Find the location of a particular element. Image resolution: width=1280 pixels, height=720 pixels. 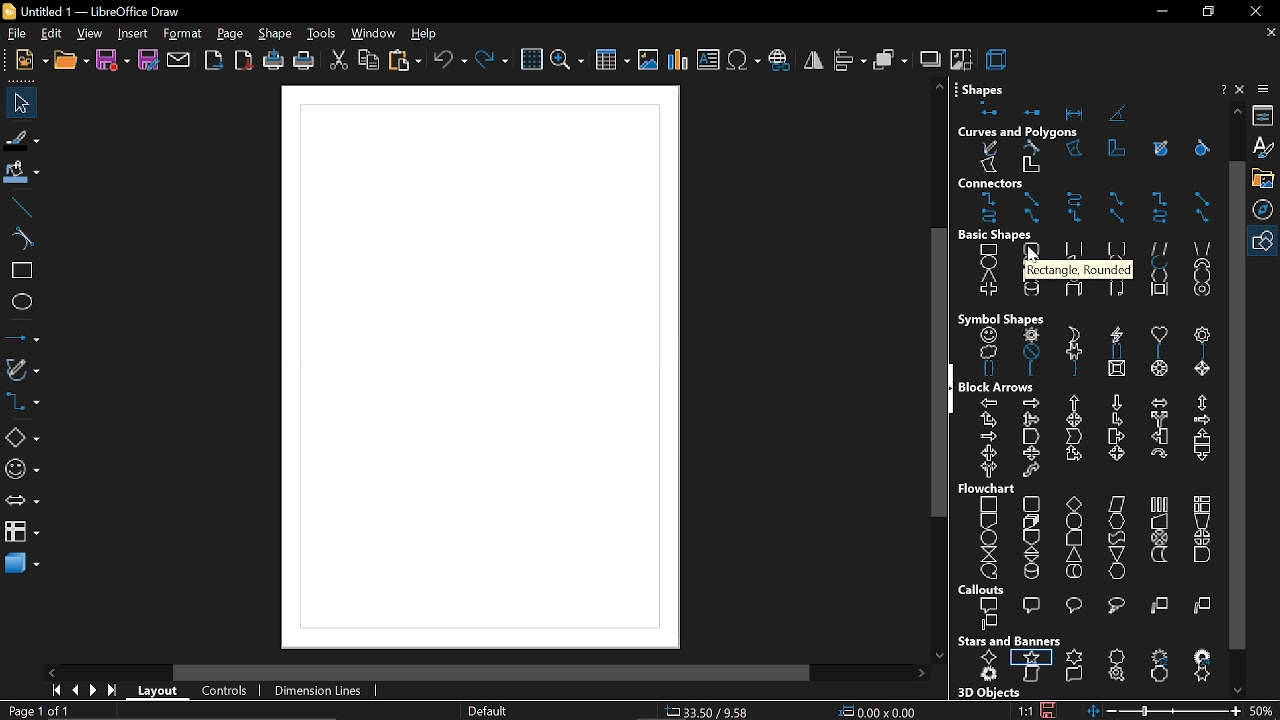

styles is located at coordinates (1265, 148).